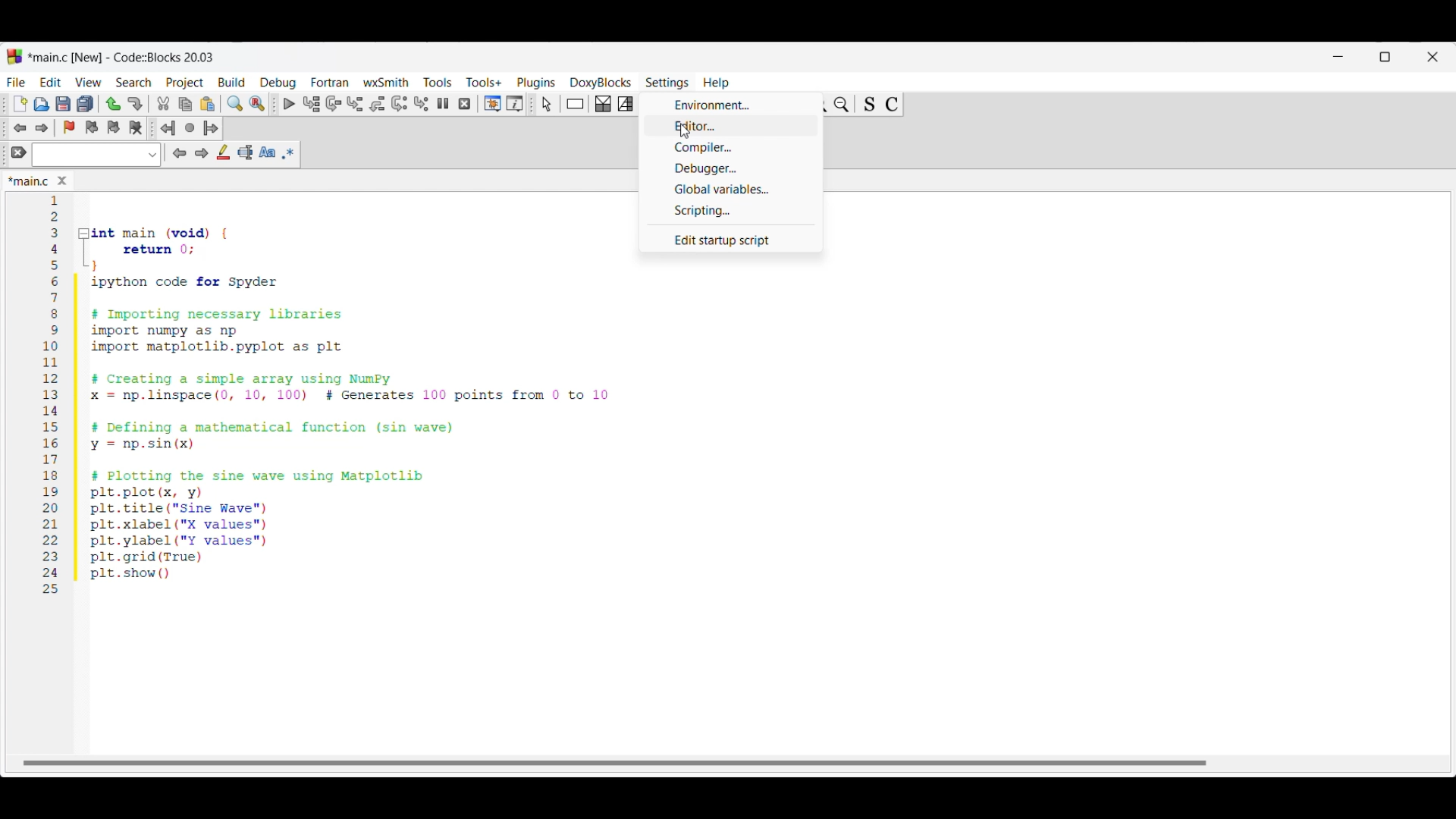  Describe the element at coordinates (1385, 57) in the screenshot. I see `Change tab dimension` at that location.